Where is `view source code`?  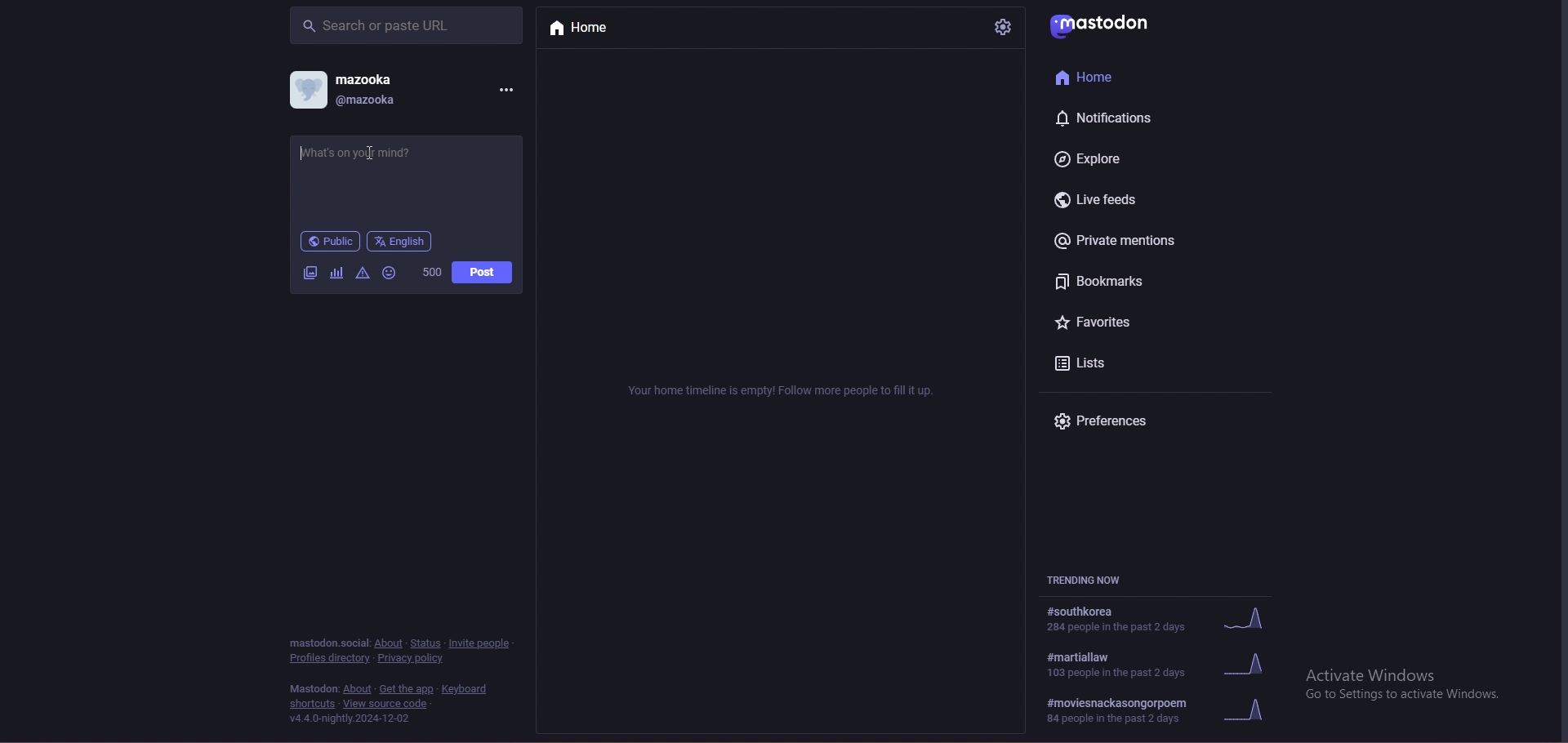 view source code is located at coordinates (386, 704).